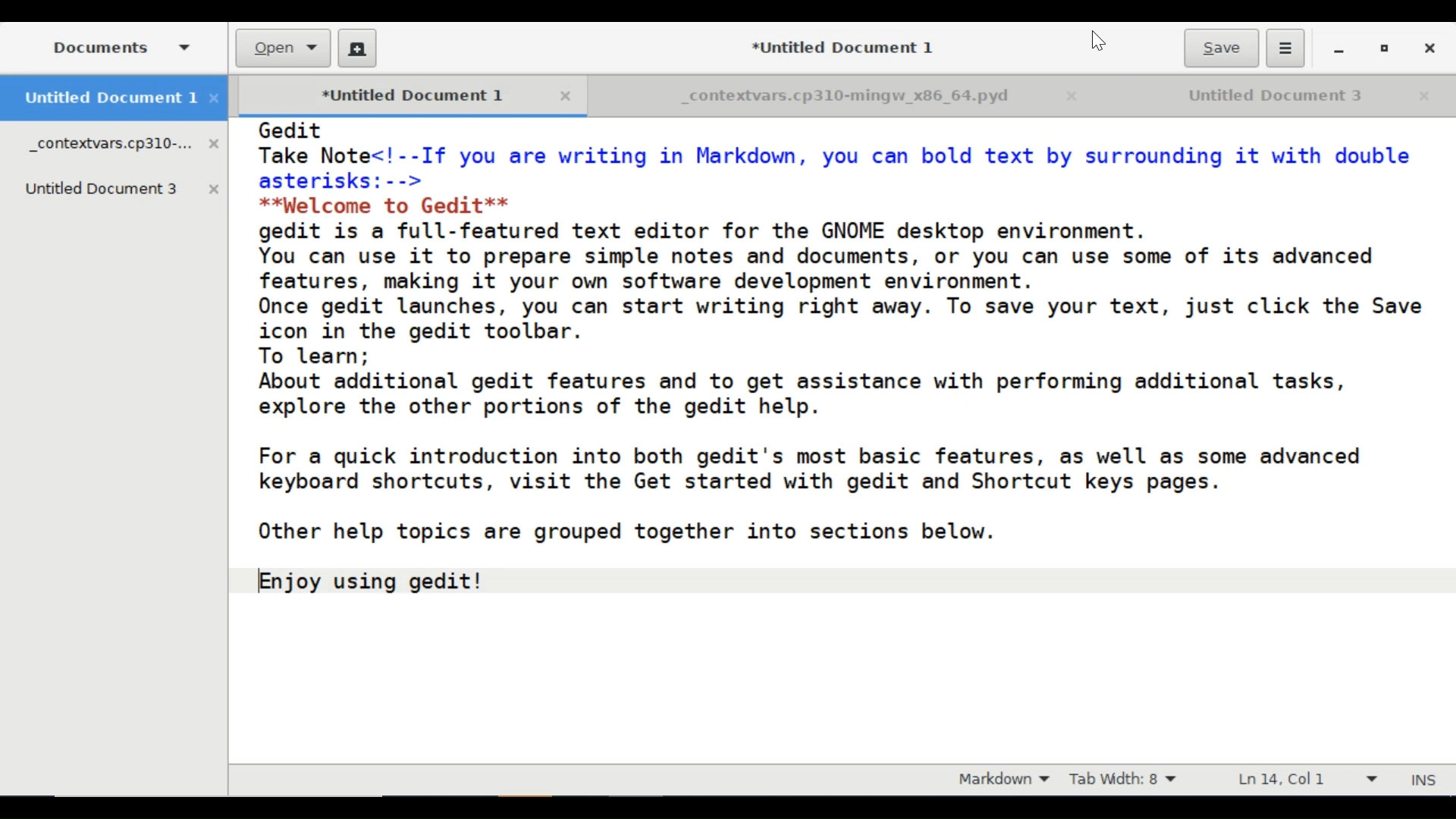 This screenshot has height=819, width=1456. I want to click on _contextvars.cp310-minger_xc86_64.pyd Tab, so click(821, 97).